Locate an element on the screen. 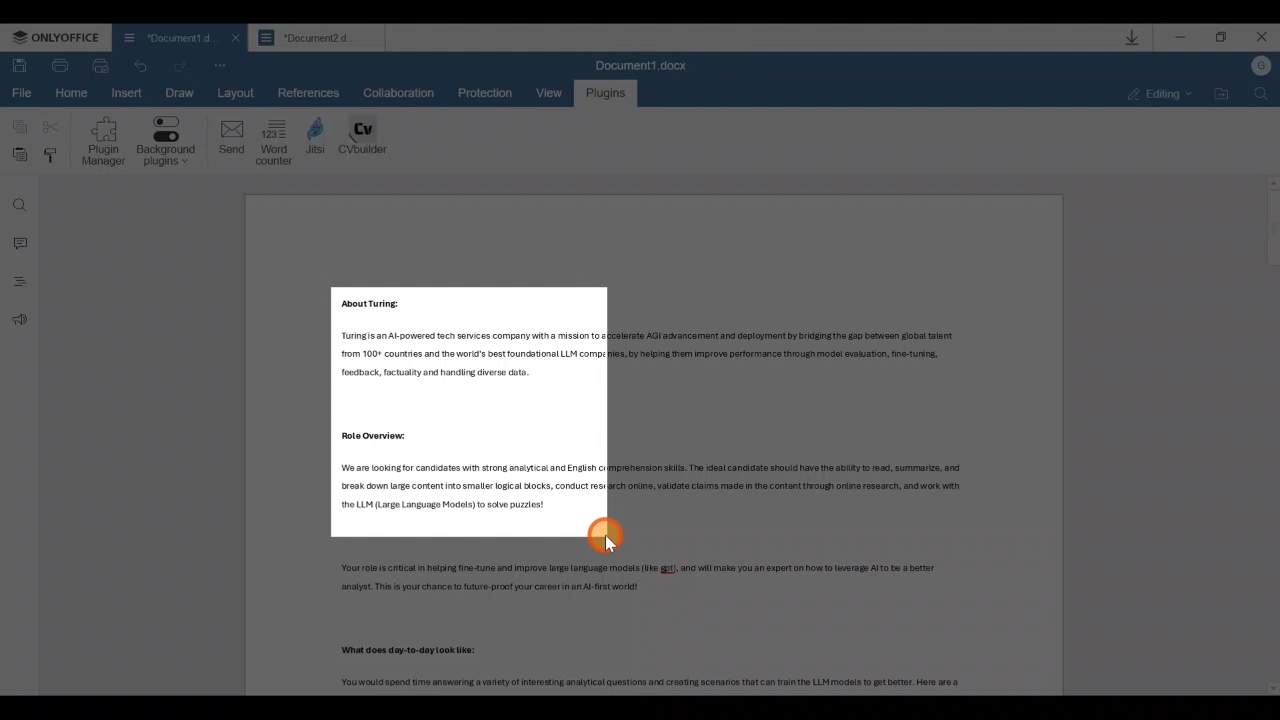 The image size is (1280, 720). Find is located at coordinates (18, 201).